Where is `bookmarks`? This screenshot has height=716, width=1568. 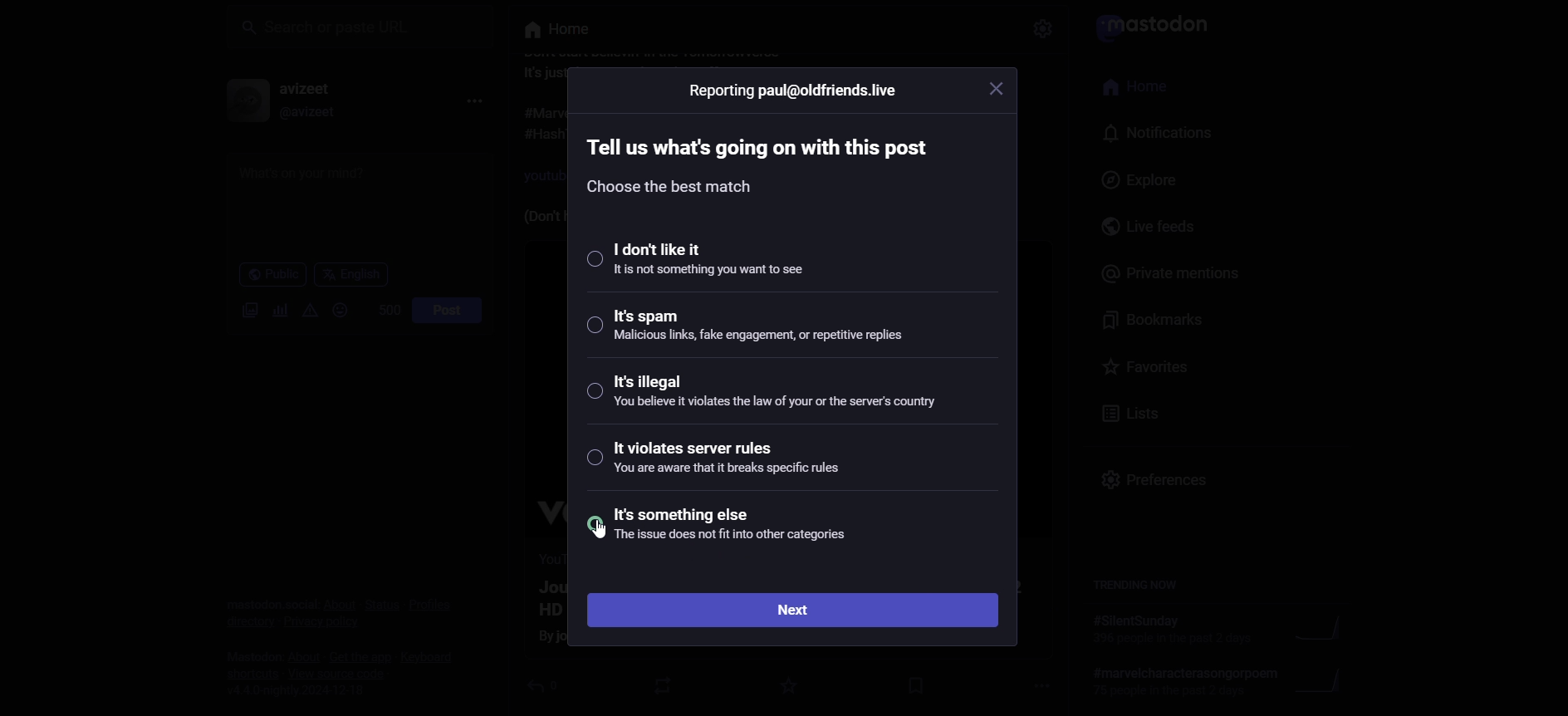
bookmarks is located at coordinates (1162, 319).